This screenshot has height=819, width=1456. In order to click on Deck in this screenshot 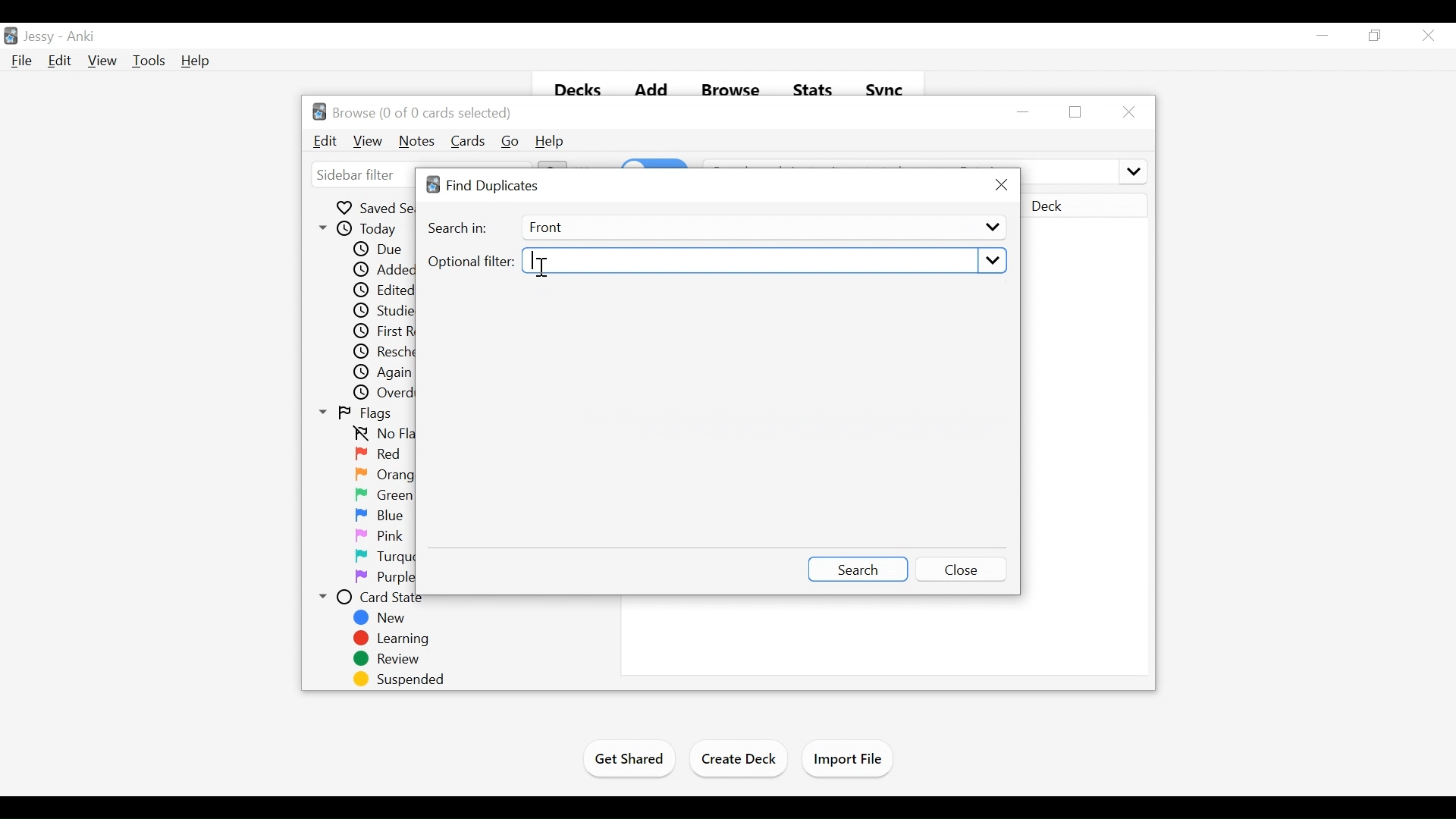, I will do `click(1084, 207)`.